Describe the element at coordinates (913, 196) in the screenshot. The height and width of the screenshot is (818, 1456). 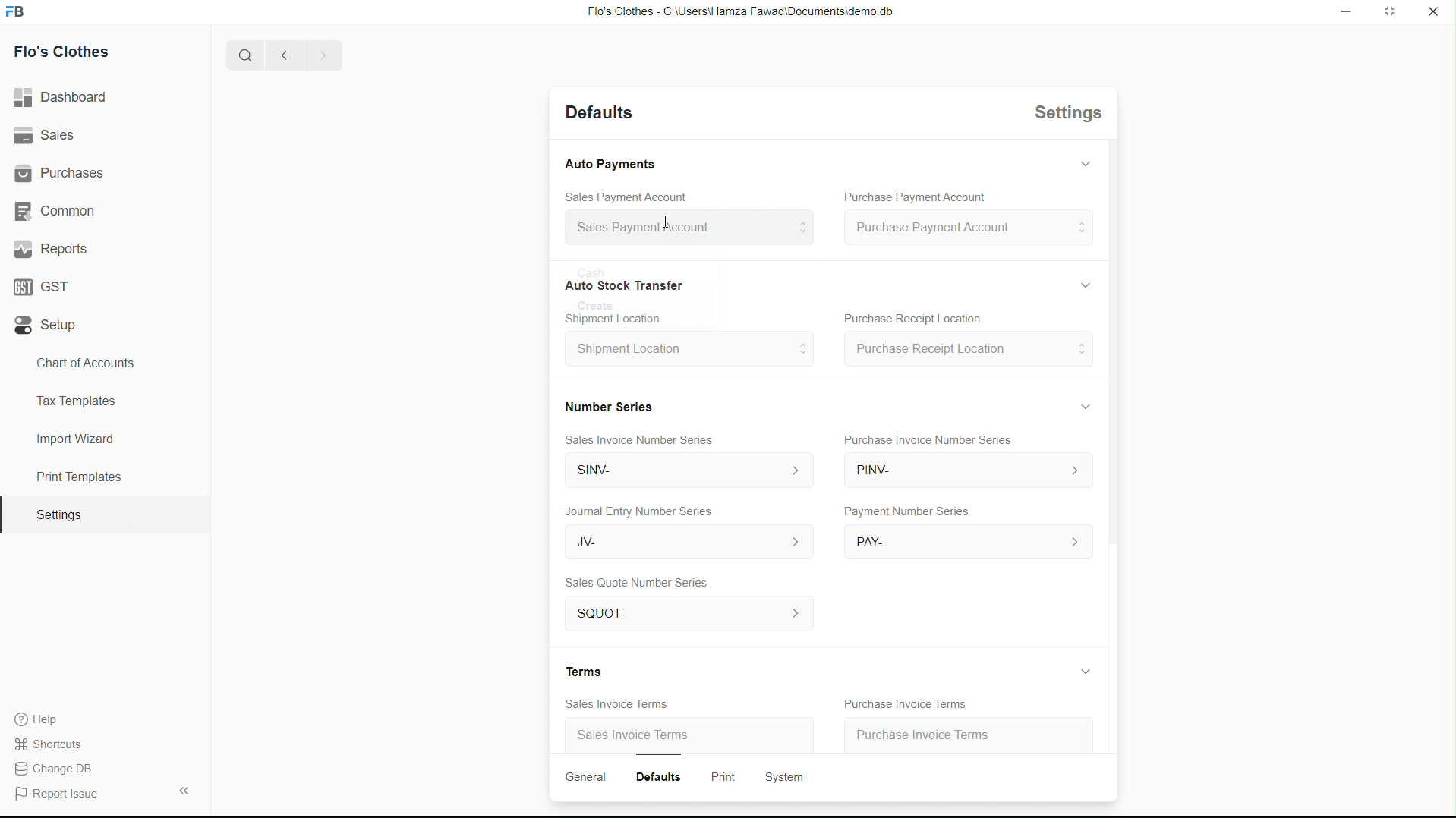
I see `Purchase Payment Account` at that location.